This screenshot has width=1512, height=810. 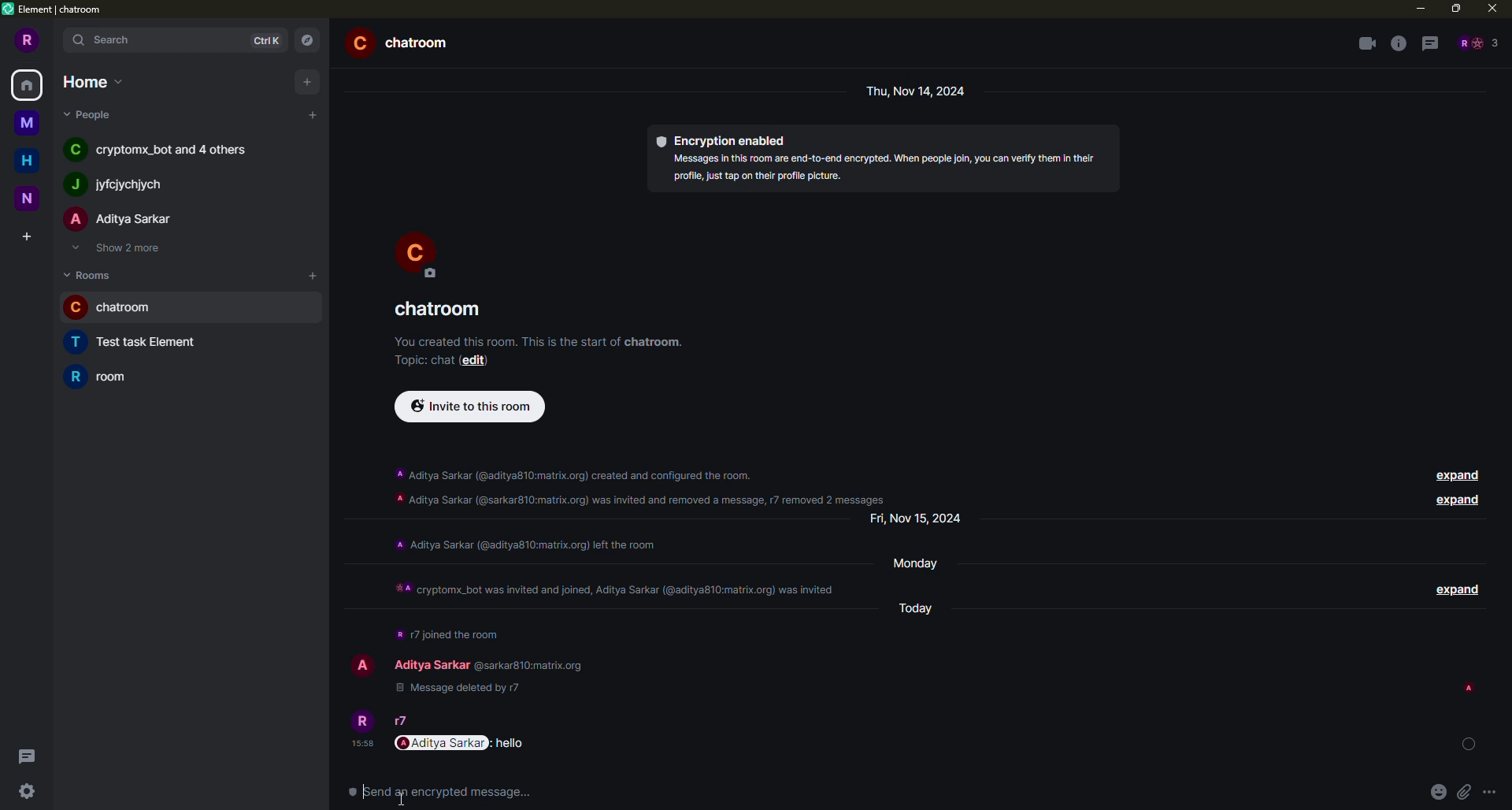 I want to click on people, so click(x=121, y=220).